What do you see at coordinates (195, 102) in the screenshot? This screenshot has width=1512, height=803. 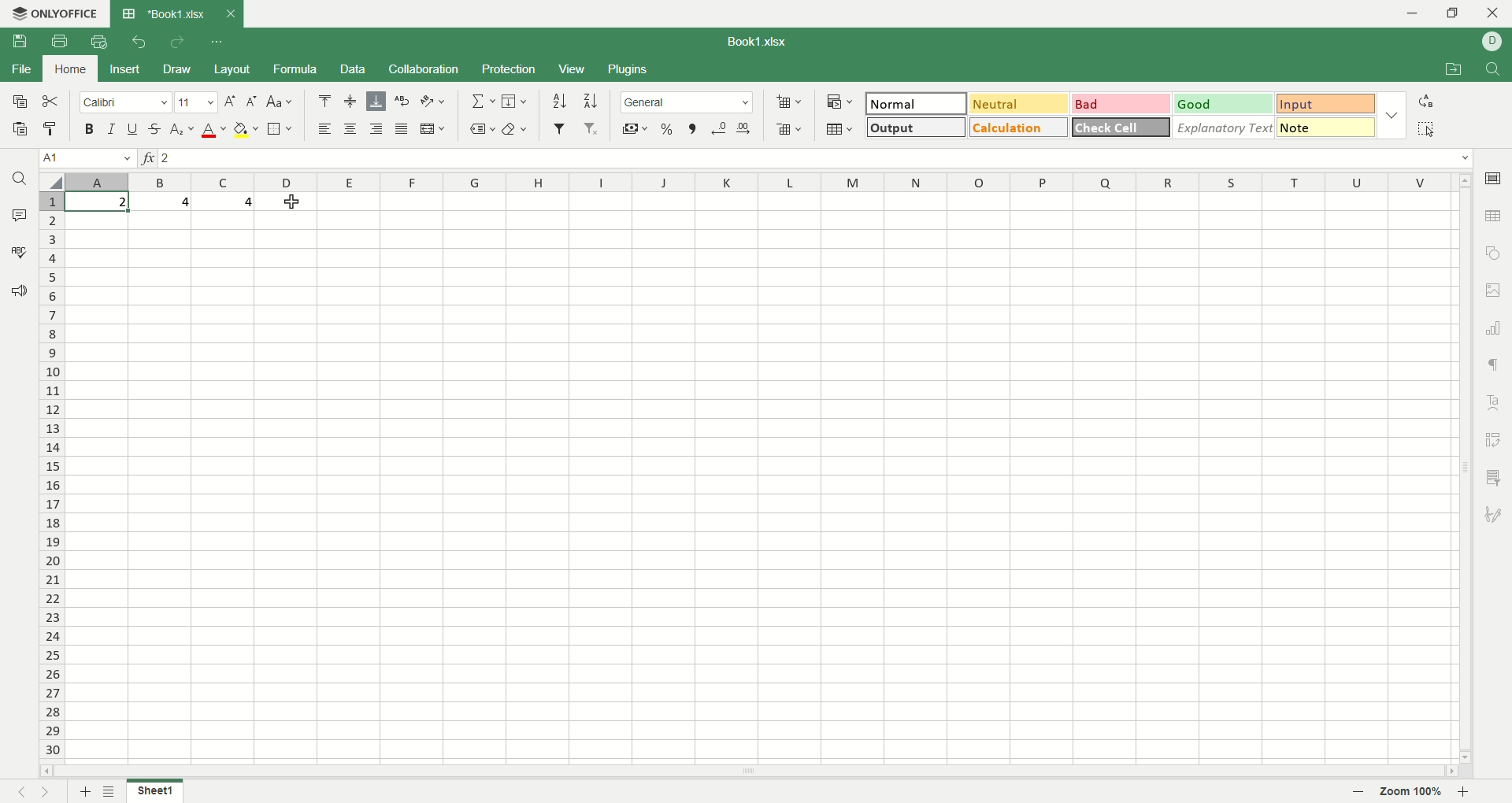 I see `font size` at bounding box center [195, 102].